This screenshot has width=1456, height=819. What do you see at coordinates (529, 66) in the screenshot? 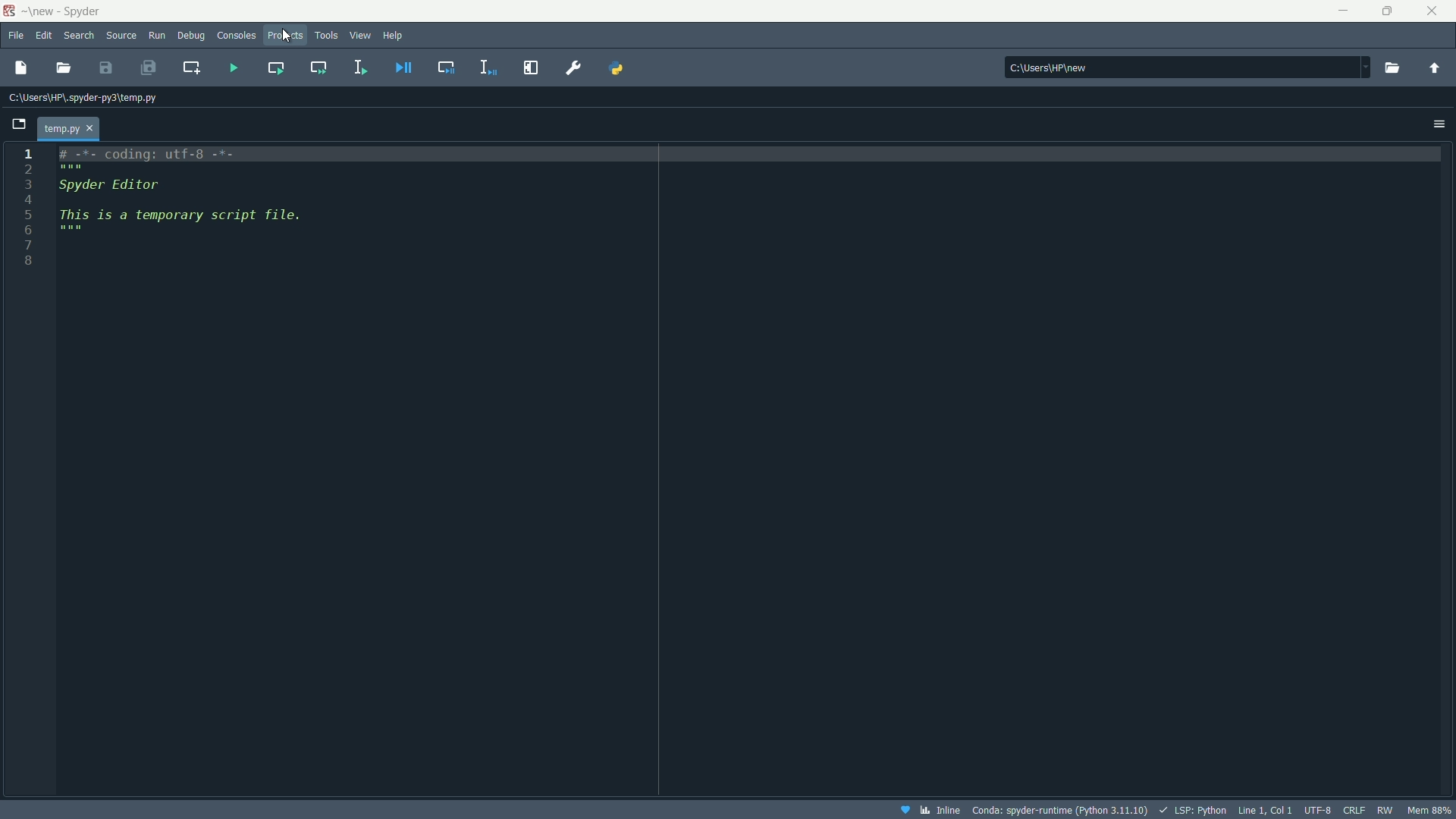
I see `Maximize current pane` at bounding box center [529, 66].